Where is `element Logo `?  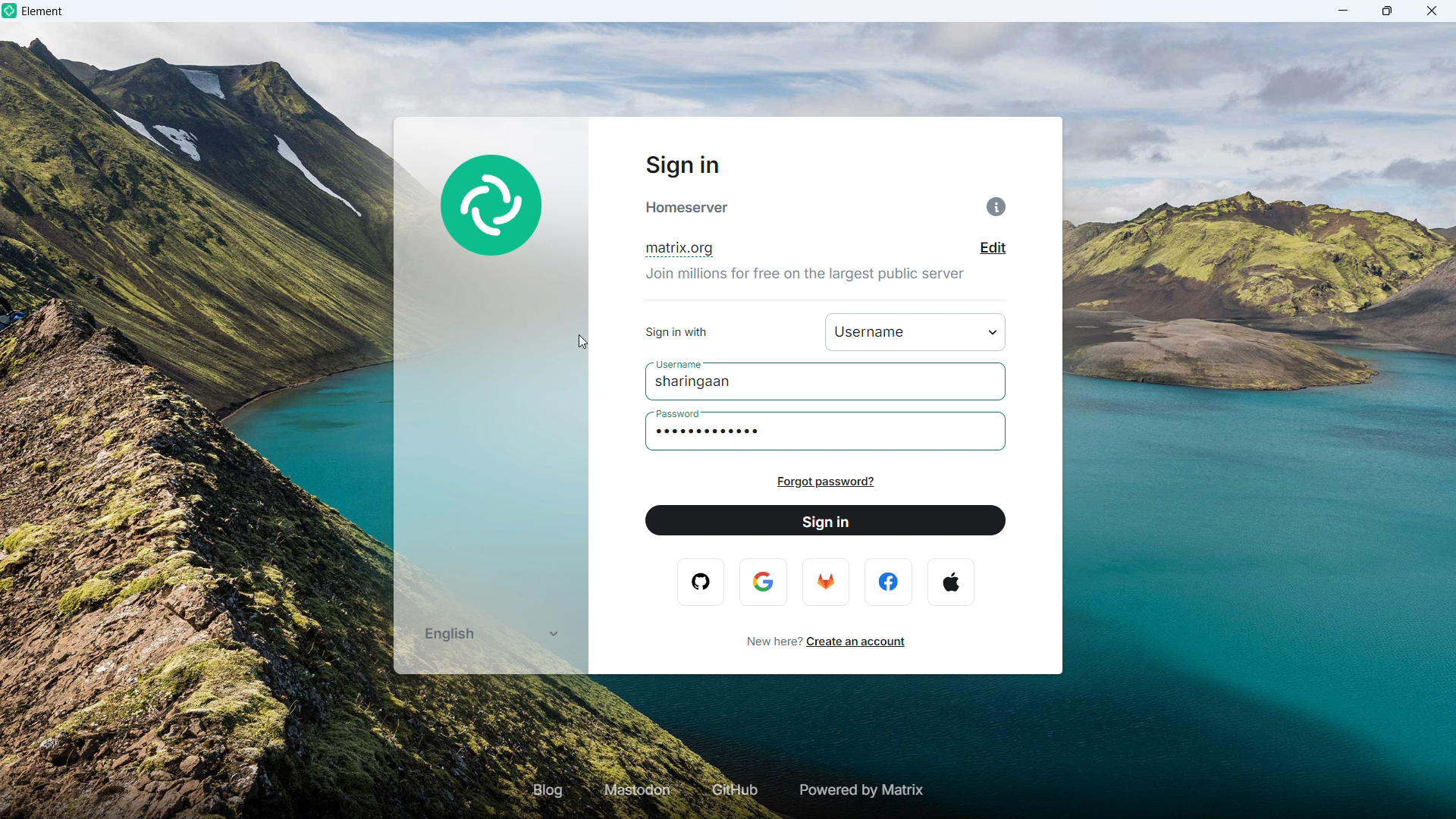 element Logo  is located at coordinates (493, 208).